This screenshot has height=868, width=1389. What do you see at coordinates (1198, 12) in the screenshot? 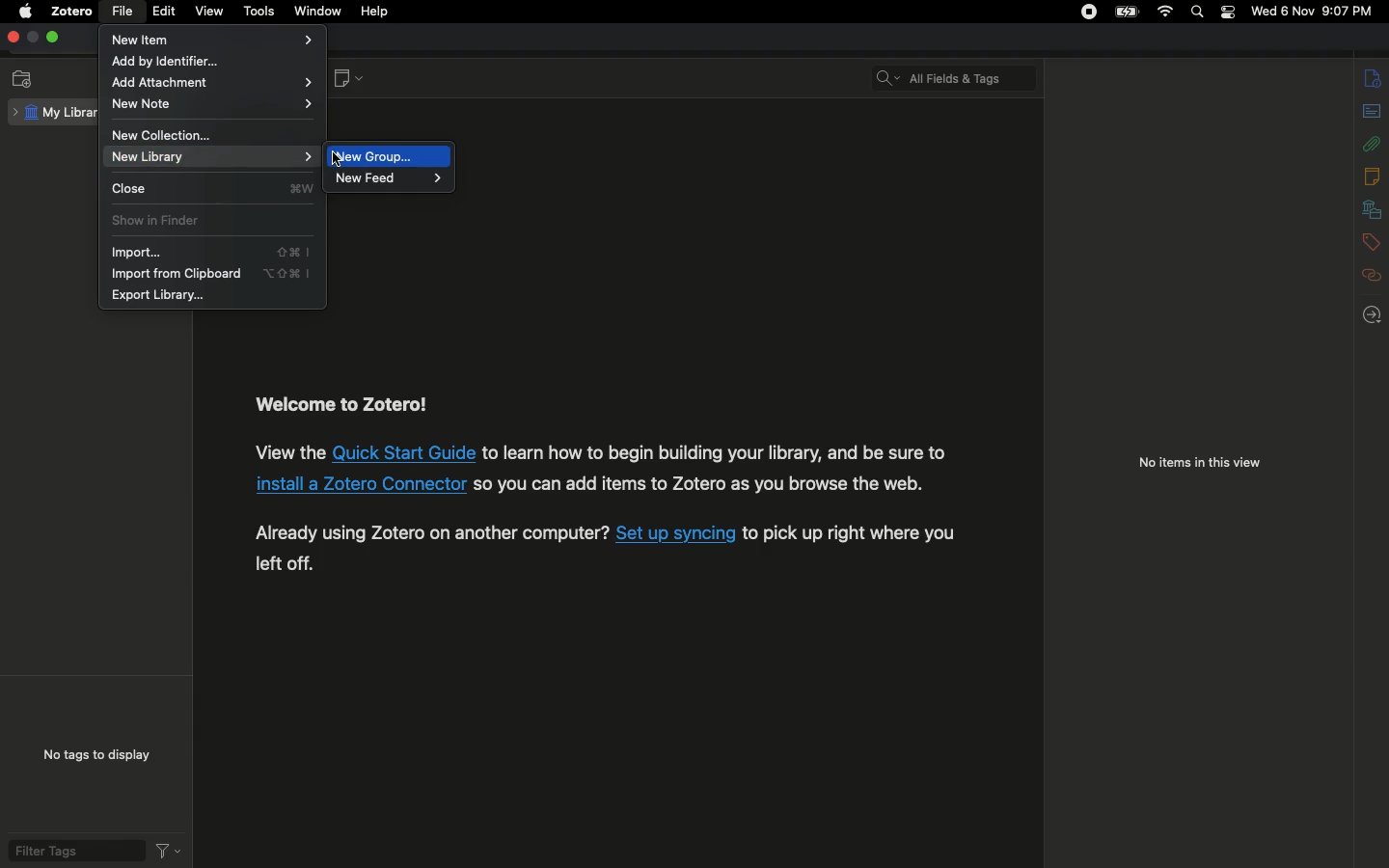
I see `Search` at bounding box center [1198, 12].